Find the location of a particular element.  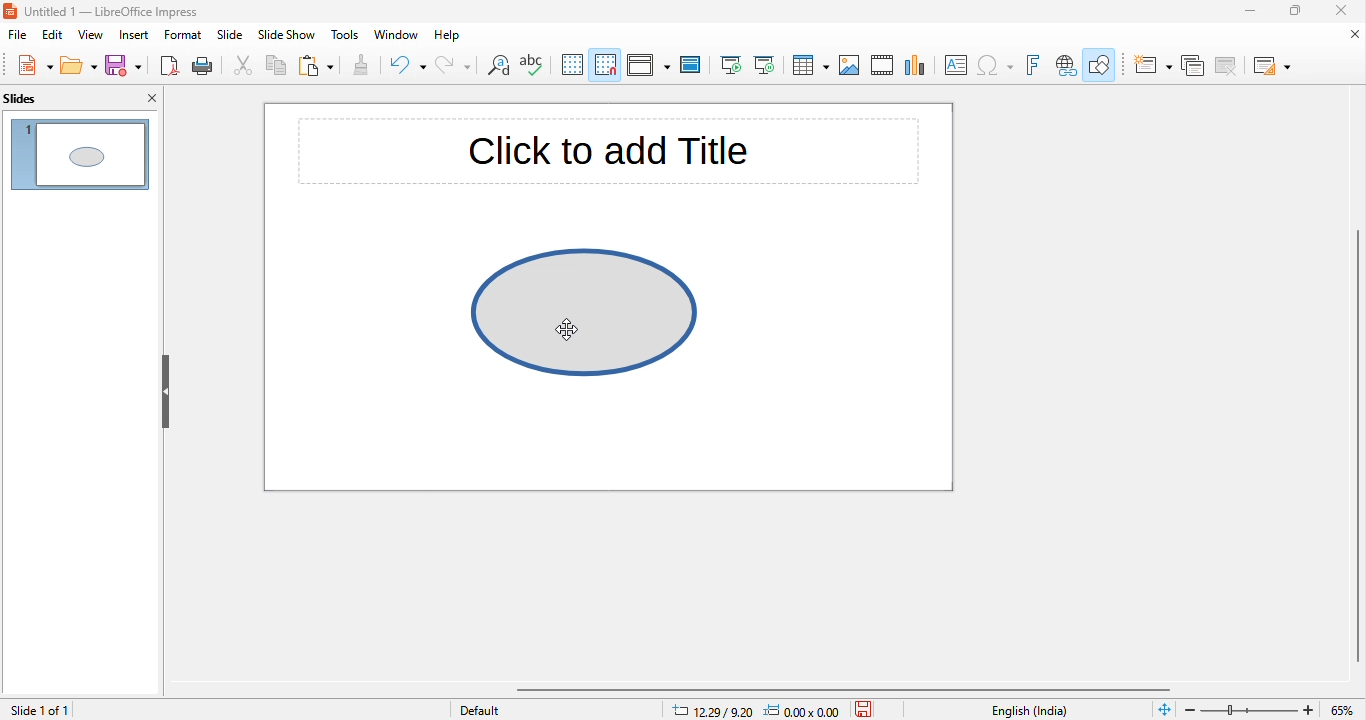

cursor is located at coordinates (569, 333).